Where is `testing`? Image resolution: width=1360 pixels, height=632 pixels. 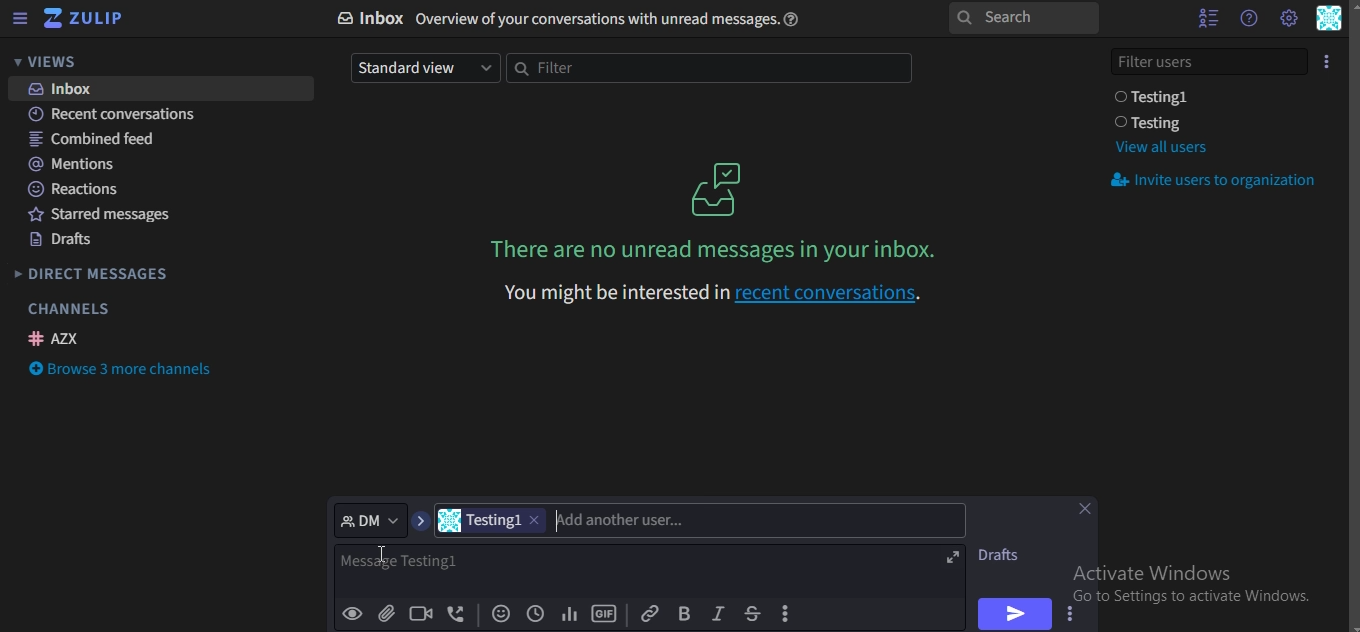 testing is located at coordinates (1153, 123).